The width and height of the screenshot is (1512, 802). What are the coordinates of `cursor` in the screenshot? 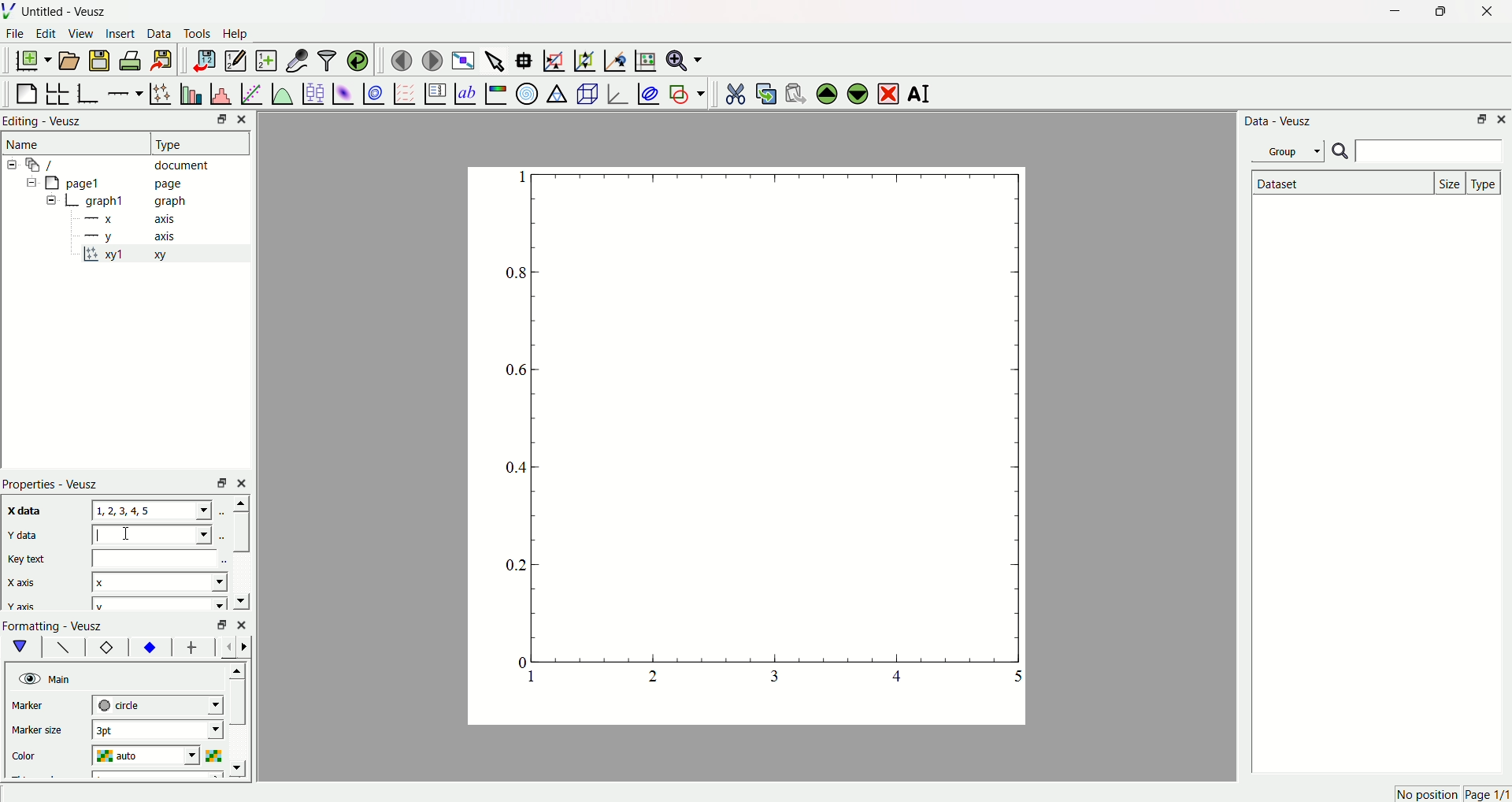 It's located at (130, 536).